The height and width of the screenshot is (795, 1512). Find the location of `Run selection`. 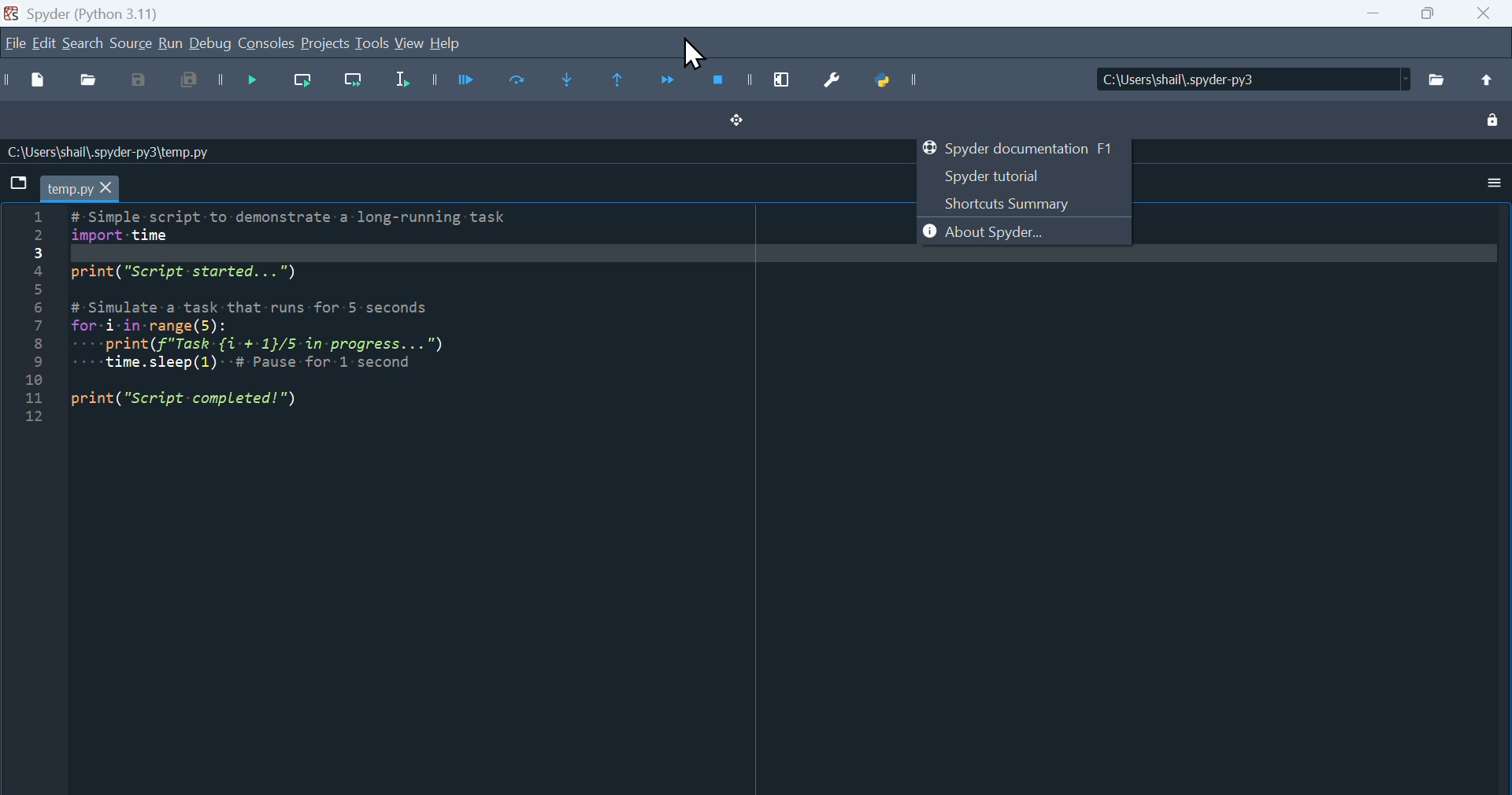

Run selection is located at coordinates (406, 81).